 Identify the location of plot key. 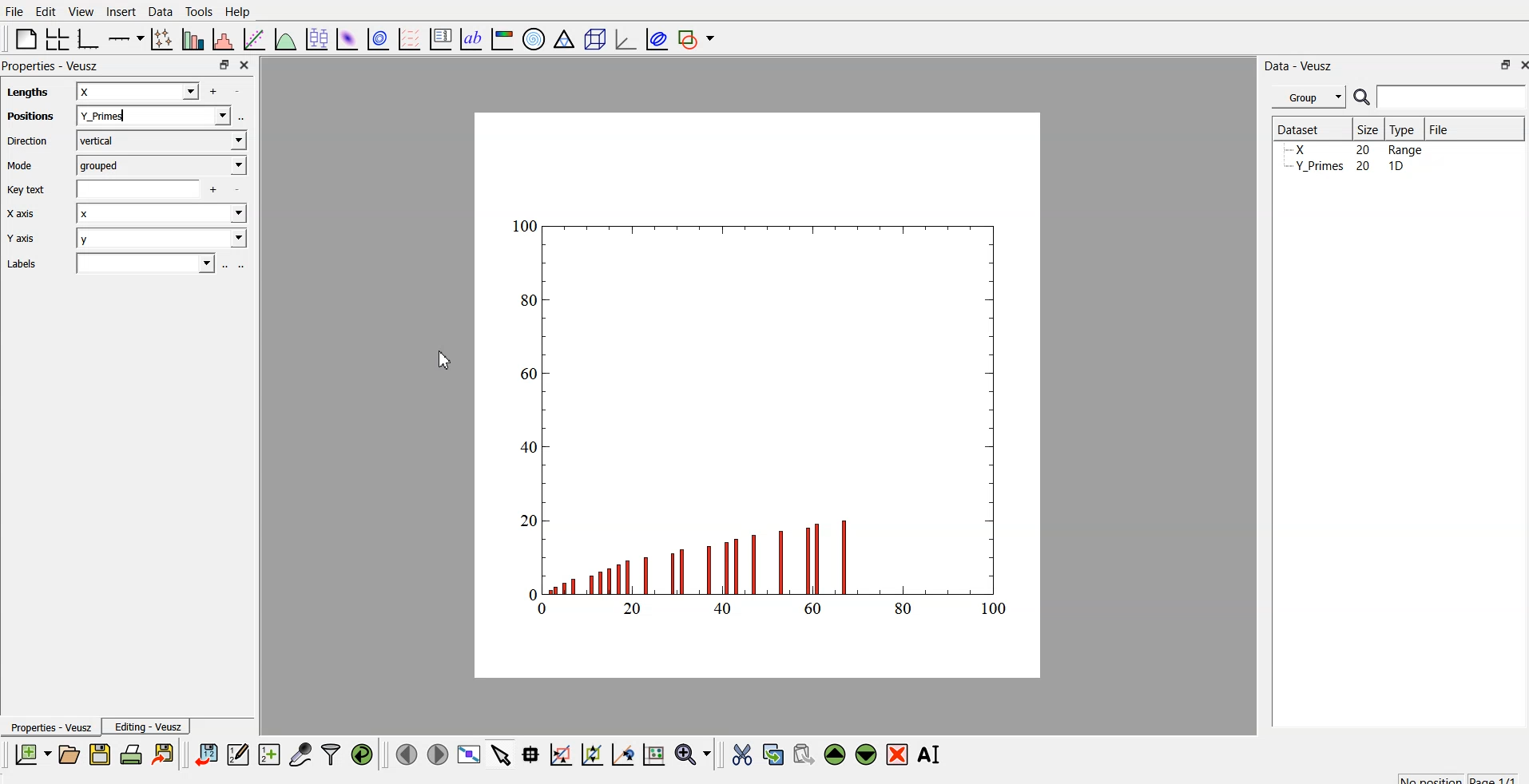
(441, 37).